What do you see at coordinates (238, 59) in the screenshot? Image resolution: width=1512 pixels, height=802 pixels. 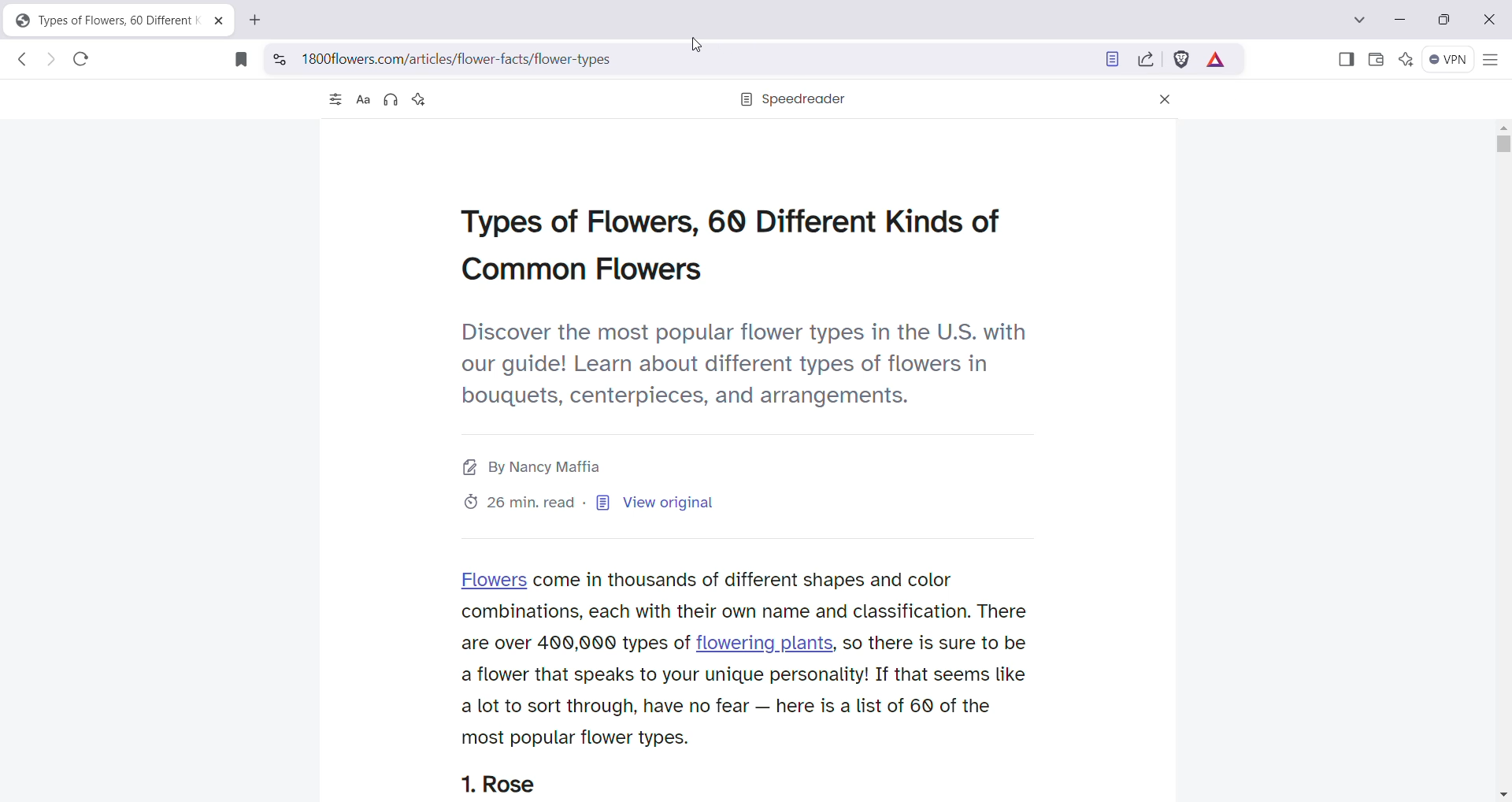 I see `Bookmark this page` at bounding box center [238, 59].